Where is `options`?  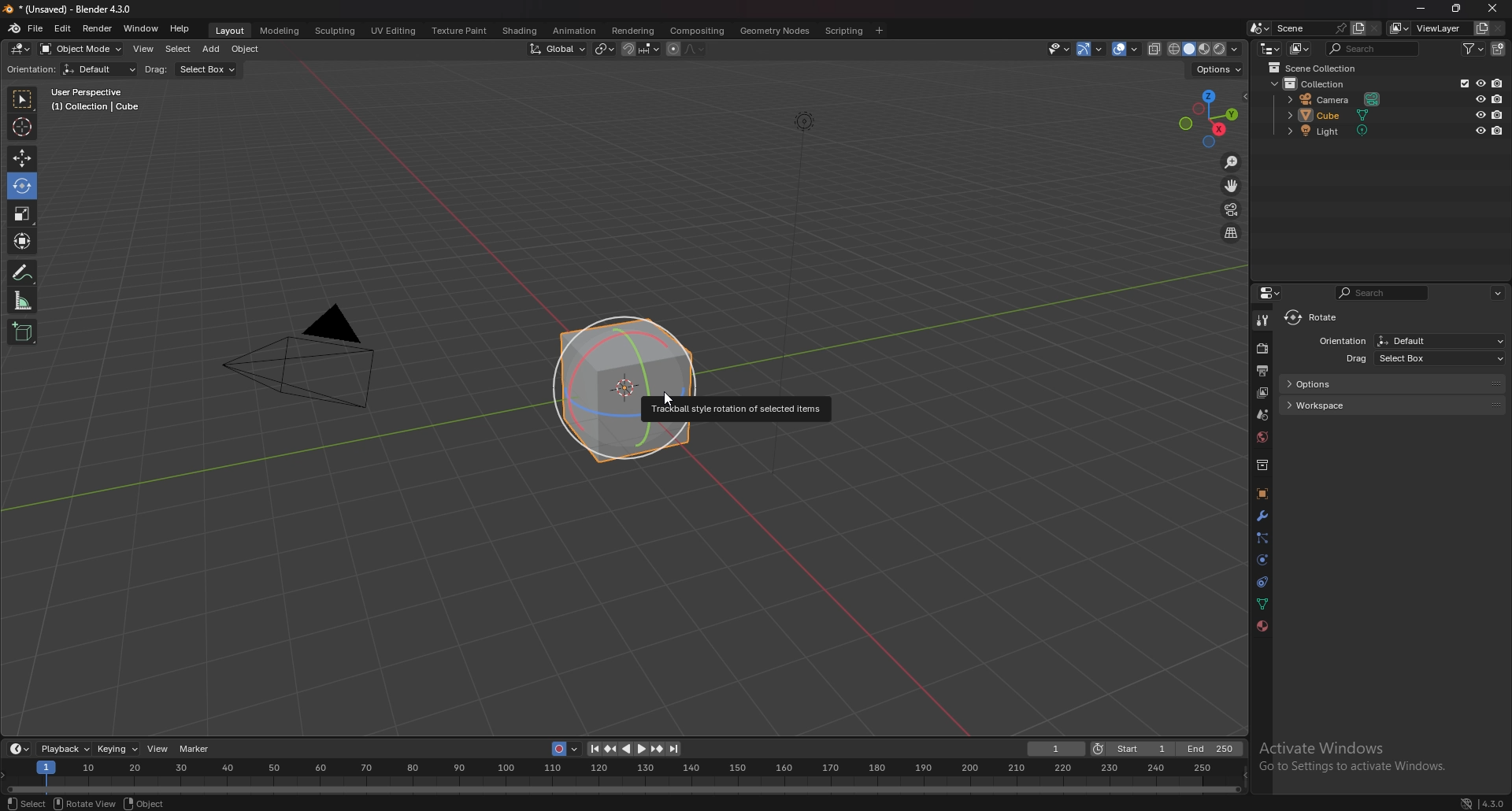 options is located at coordinates (1218, 69).